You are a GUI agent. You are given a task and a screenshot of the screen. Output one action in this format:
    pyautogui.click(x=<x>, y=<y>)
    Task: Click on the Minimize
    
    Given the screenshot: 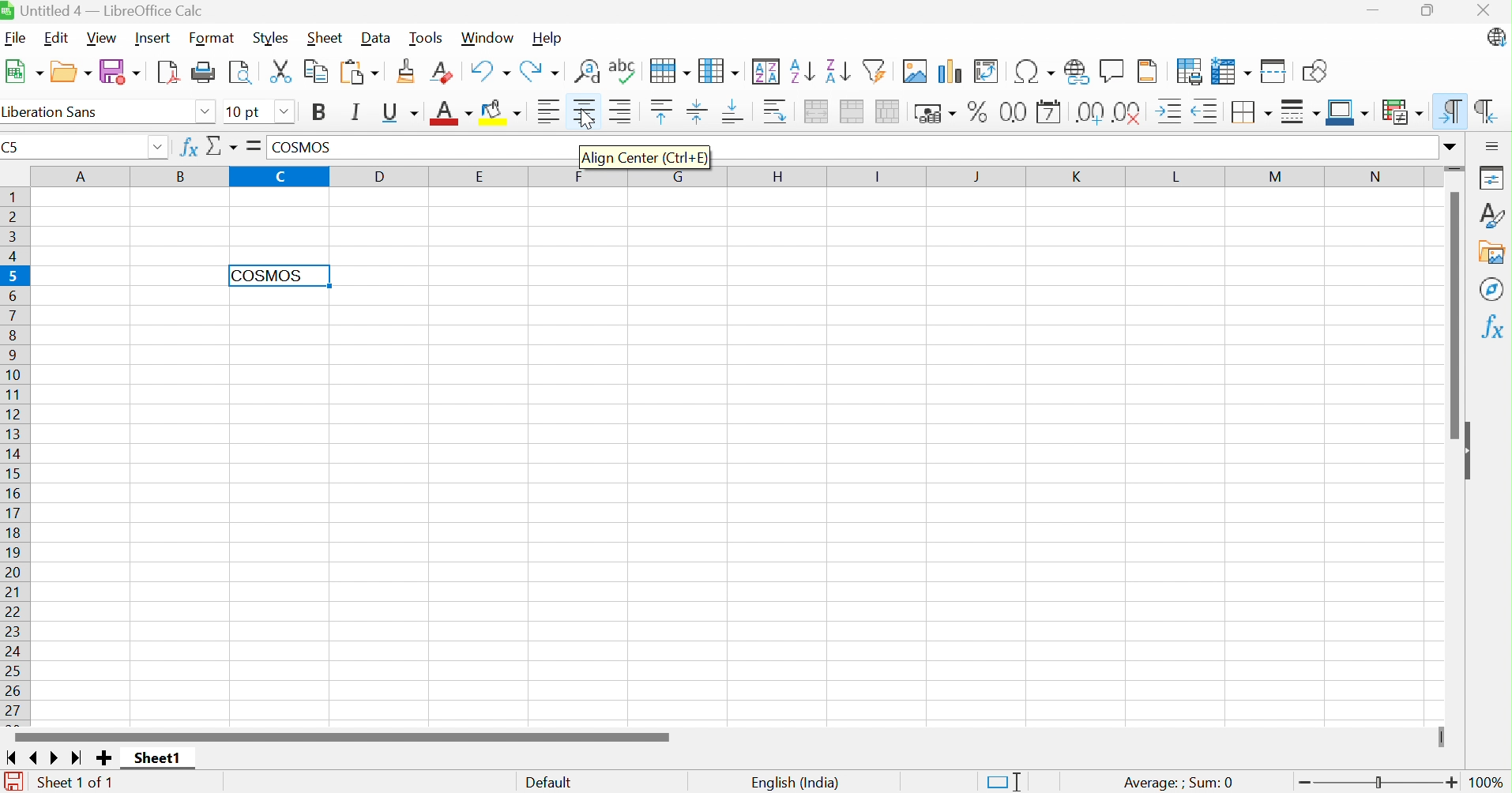 What is the action you would take?
    pyautogui.click(x=1381, y=10)
    